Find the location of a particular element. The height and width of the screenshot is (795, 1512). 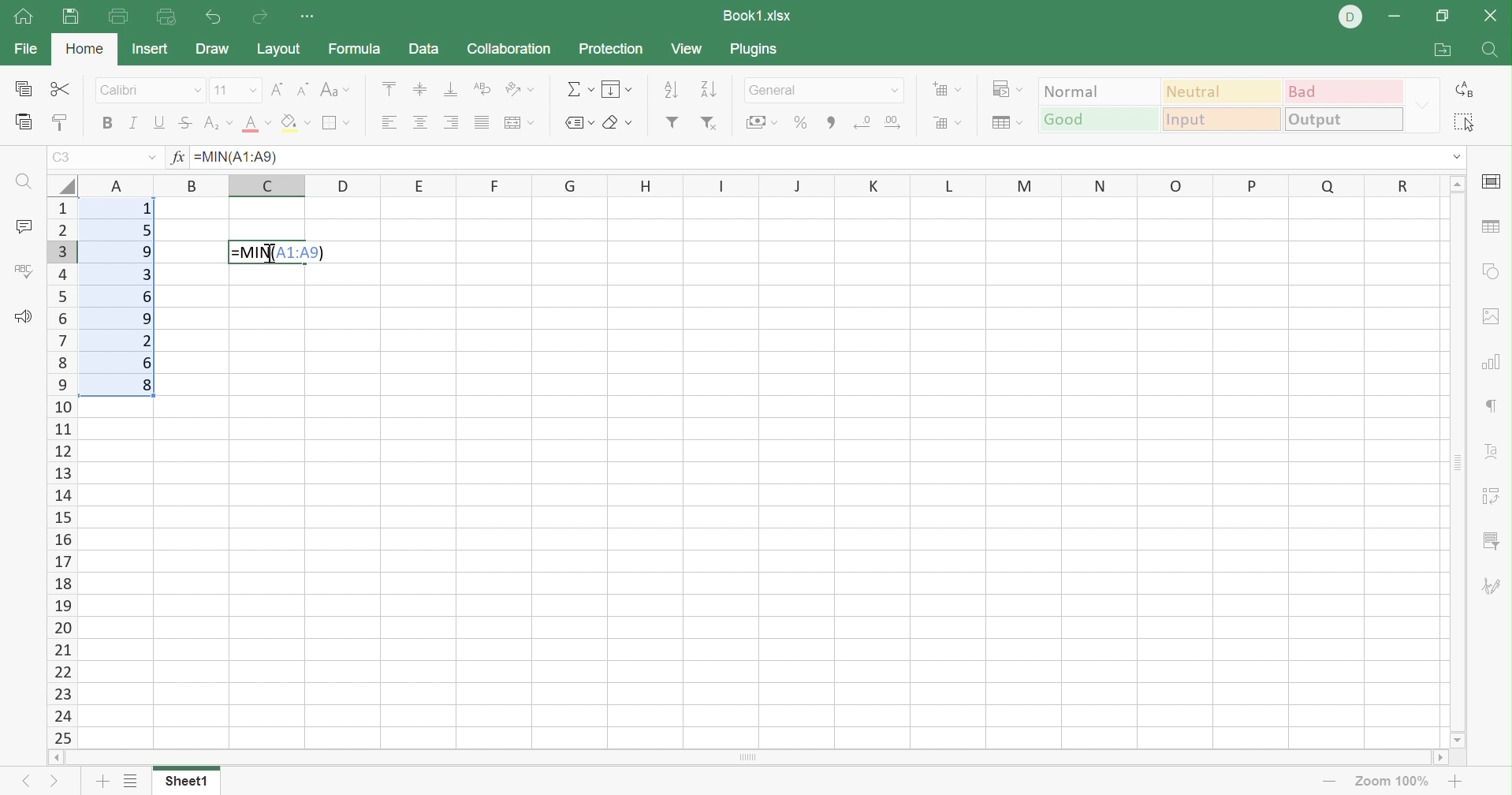

Ascending order is located at coordinates (671, 91).